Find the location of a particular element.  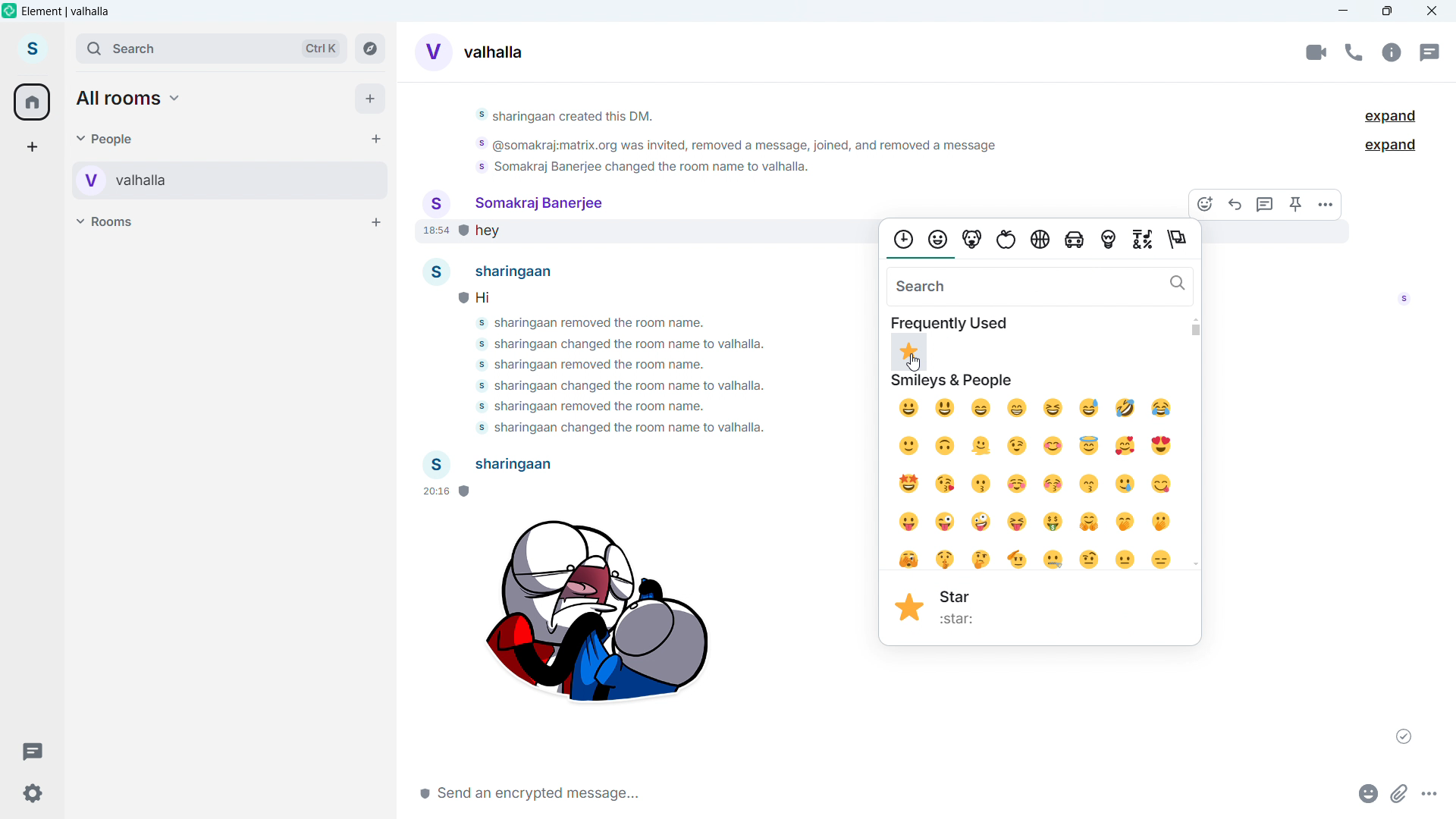

Frequently used is located at coordinates (949, 322).